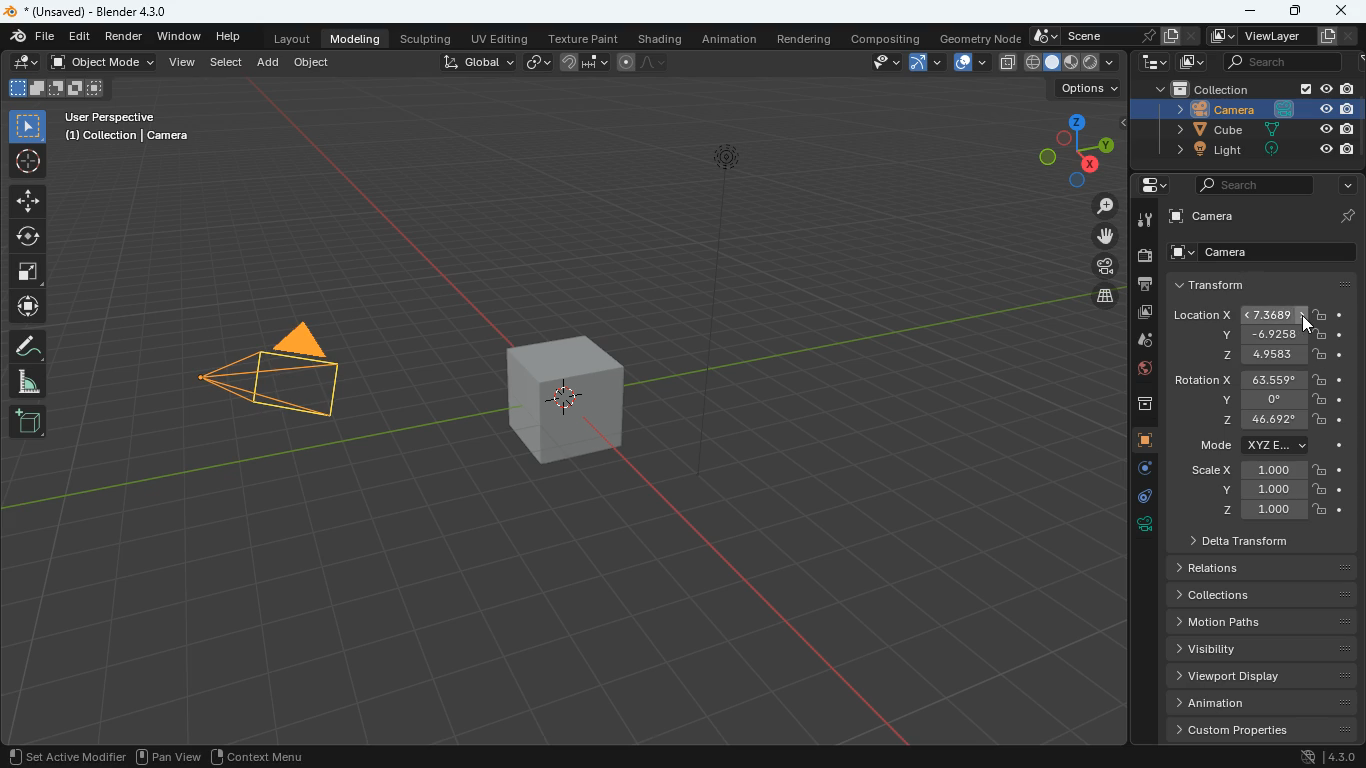 Image resolution: width=1366 pixels, height=768 pixels. Describe the element at coordinates (1106, 208) in the screenshot. I see `zoom` at that location.